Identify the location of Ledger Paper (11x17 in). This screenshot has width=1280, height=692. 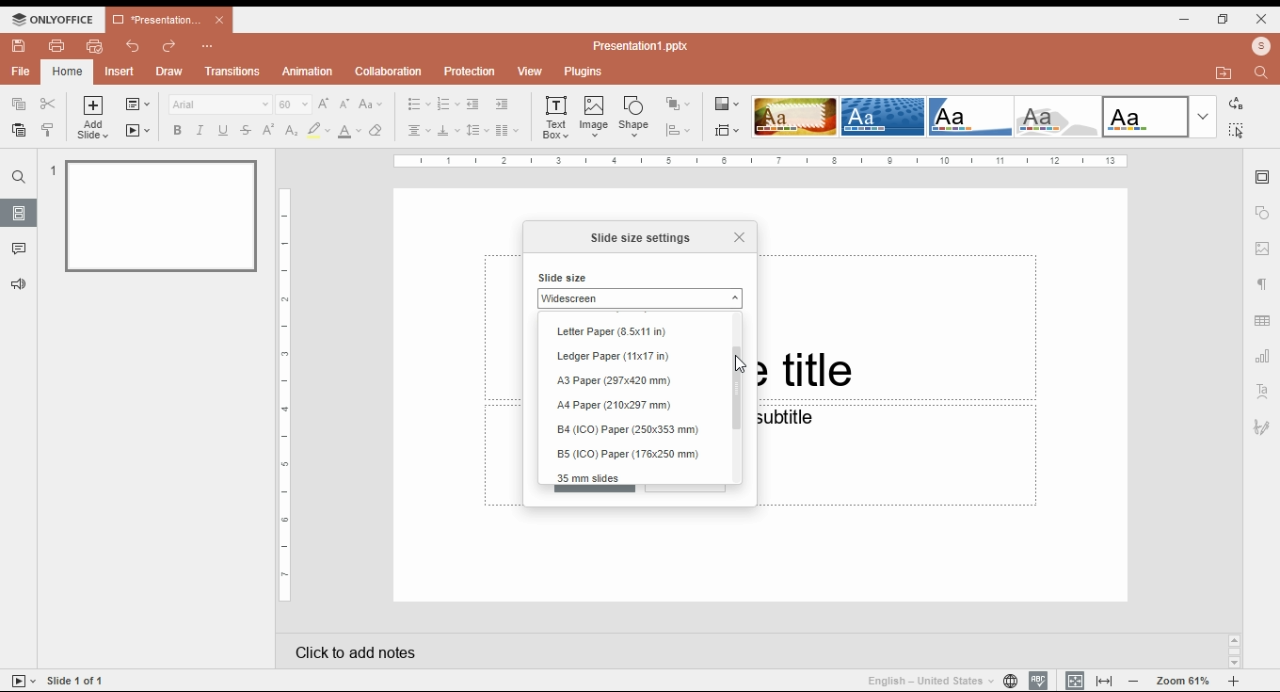
(616, 357).